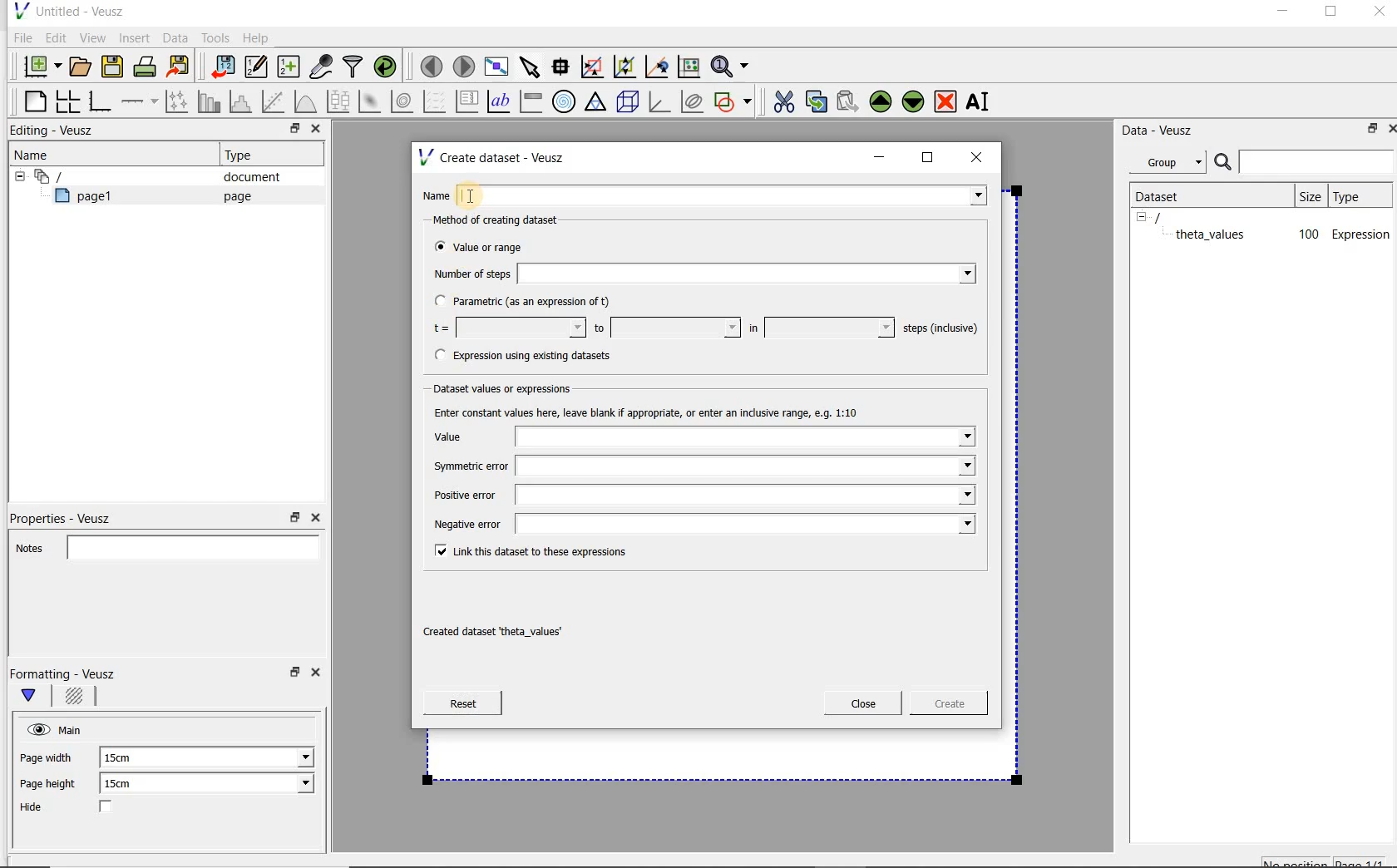 Image resolution: width=1397 pixels, height=868 pixels. What do you see at coordinates (595, 67) in the screenshot?
I see `click or draw a rectangle to zoom graph axes` at bounding box center [595, 67].